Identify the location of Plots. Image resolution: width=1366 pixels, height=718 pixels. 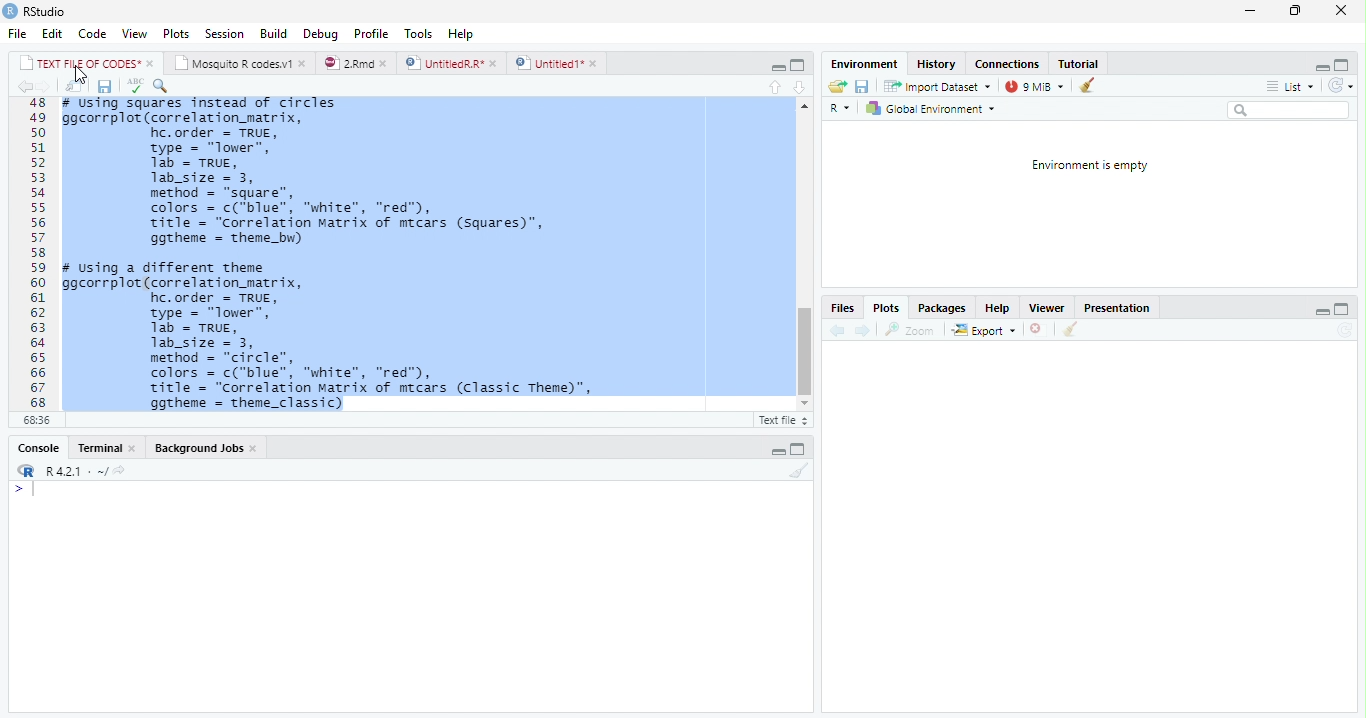
(888, 309).